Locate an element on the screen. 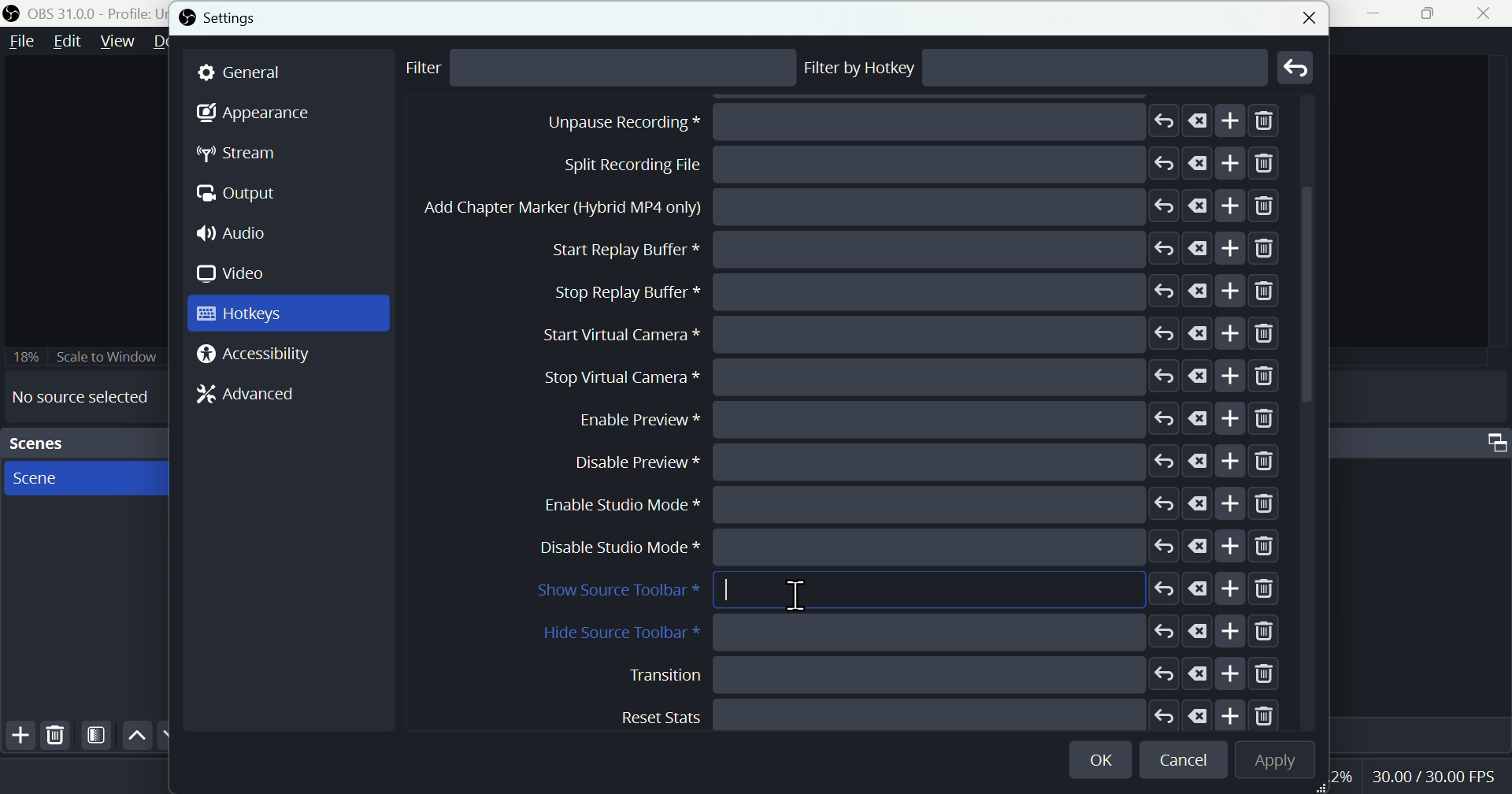 The width and height of the screenshot is (1512, 794). Scenes is located at coordinates (82, 443).